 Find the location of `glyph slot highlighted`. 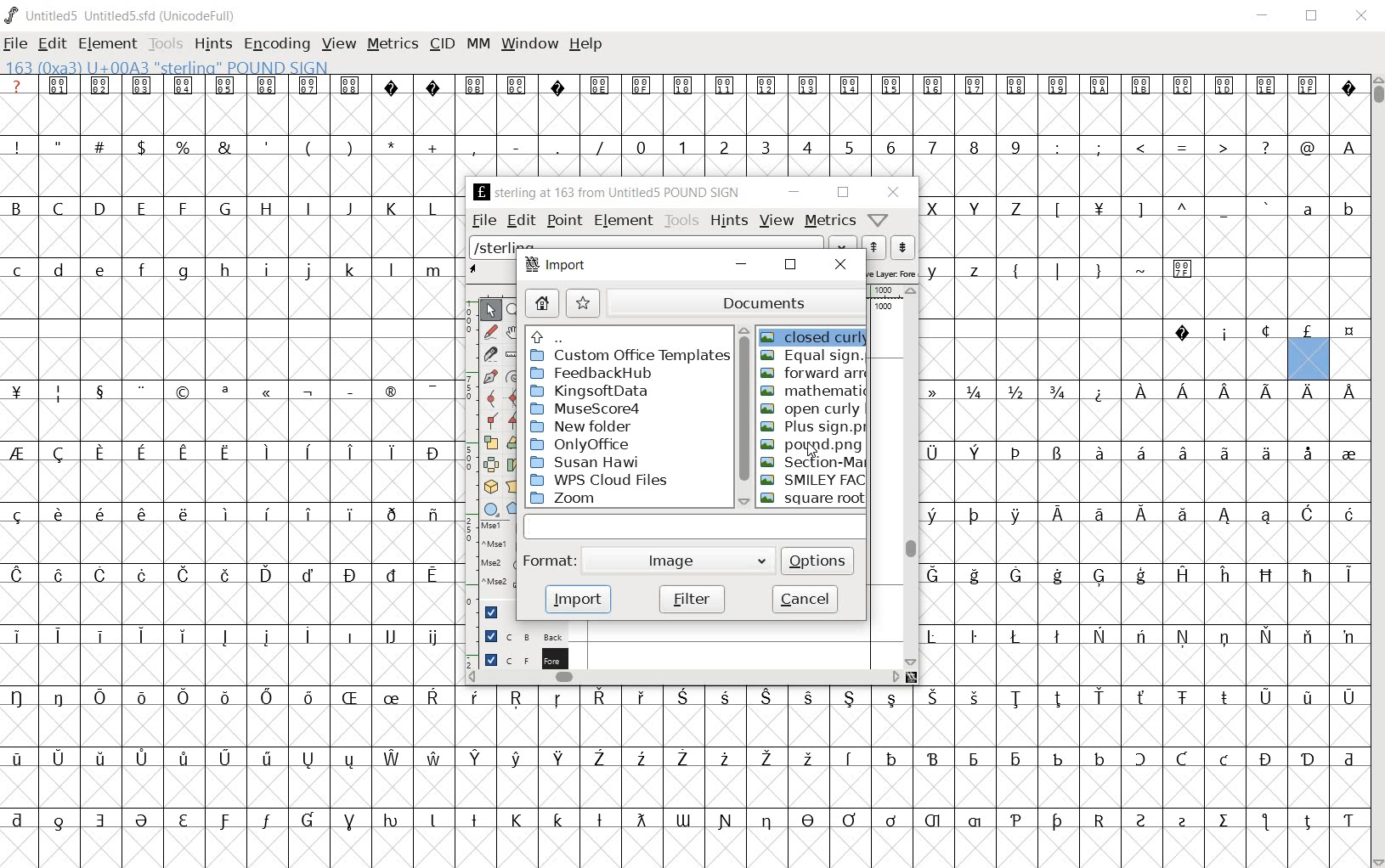

glyph slot highlighted is located at coordinates (1309, 360).